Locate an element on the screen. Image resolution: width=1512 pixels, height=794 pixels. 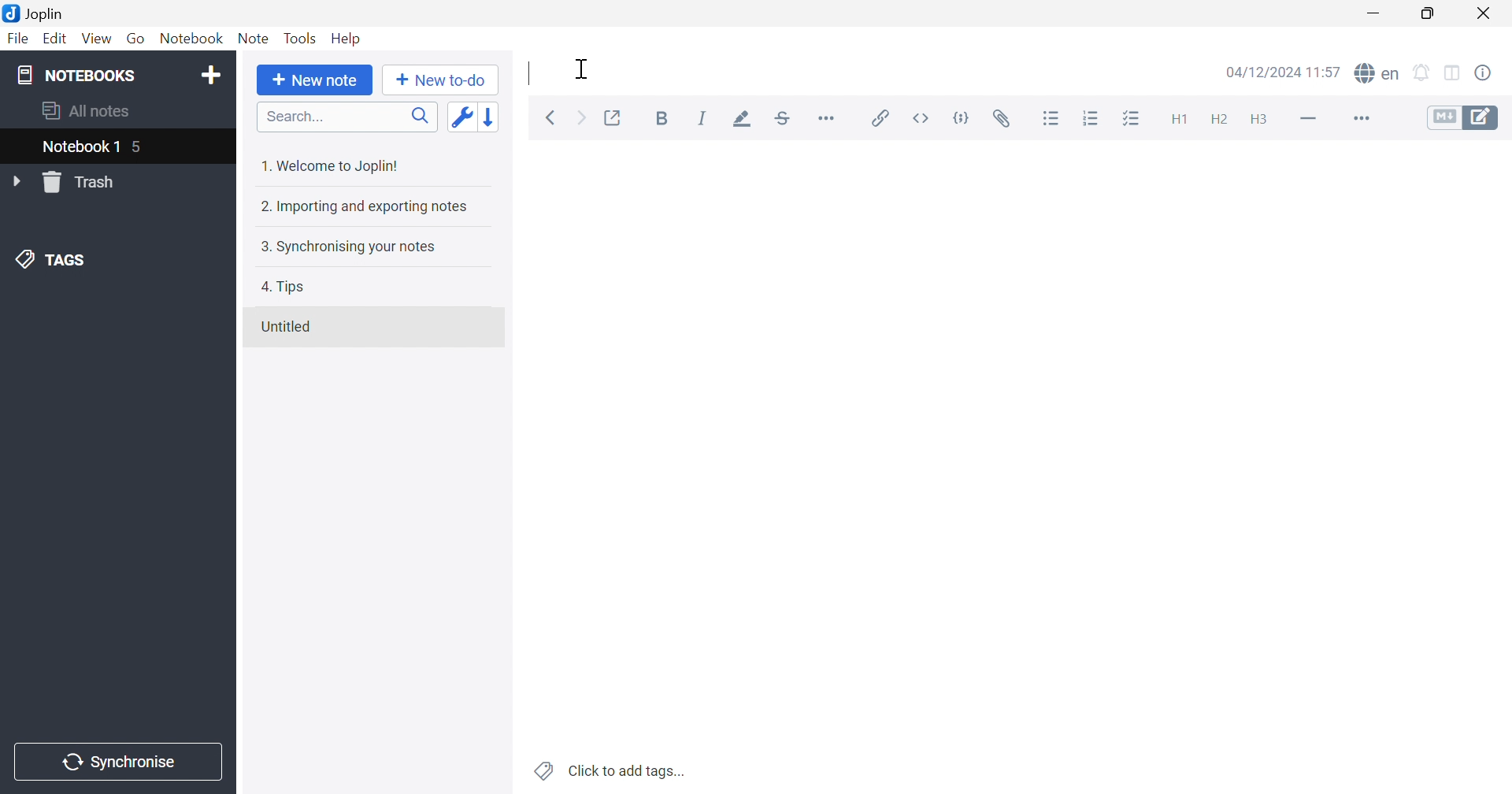
TAGS is located at coordinates (55, 261).